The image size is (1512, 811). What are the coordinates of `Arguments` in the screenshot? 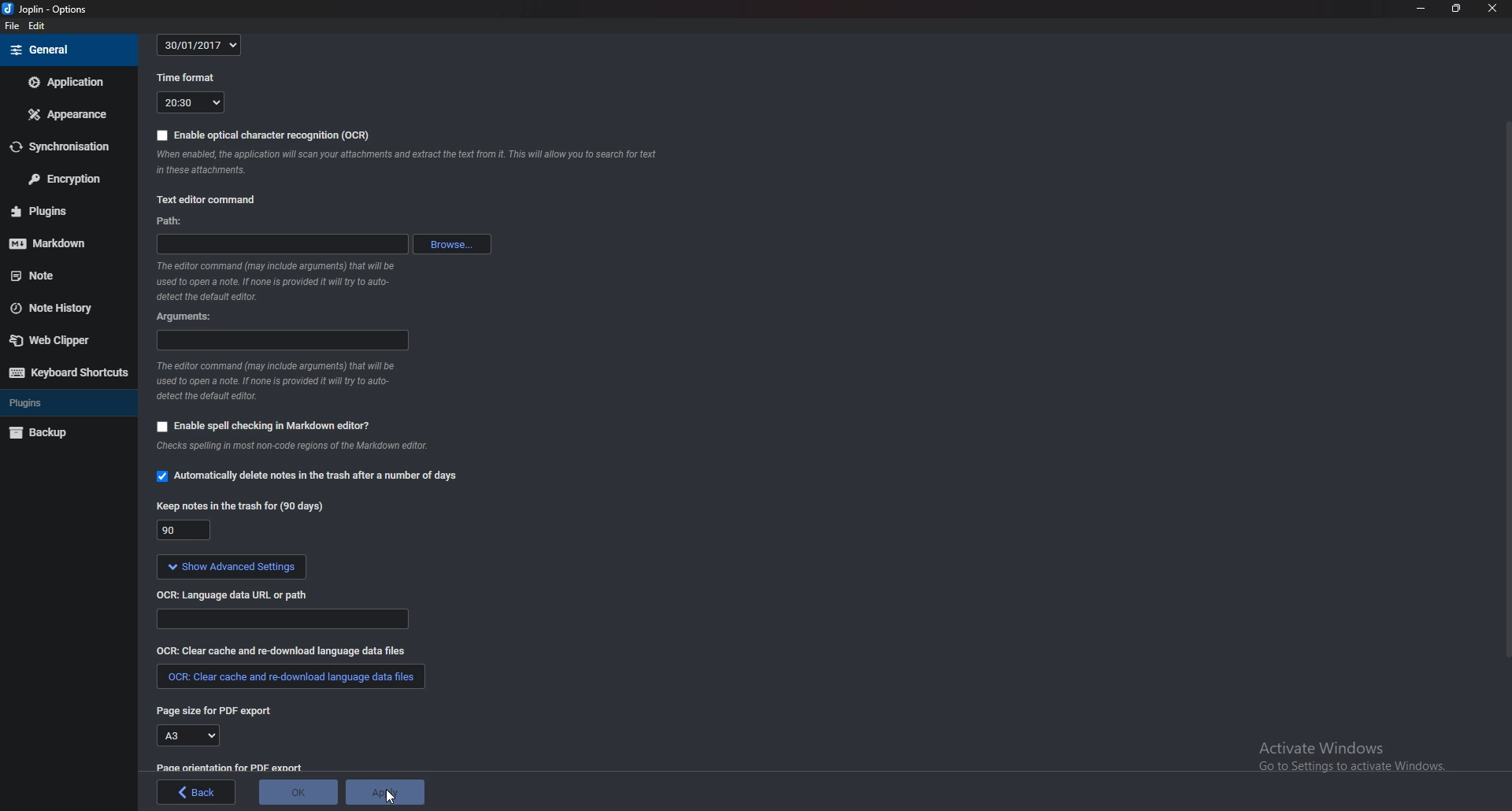 It's located at (185, 317).